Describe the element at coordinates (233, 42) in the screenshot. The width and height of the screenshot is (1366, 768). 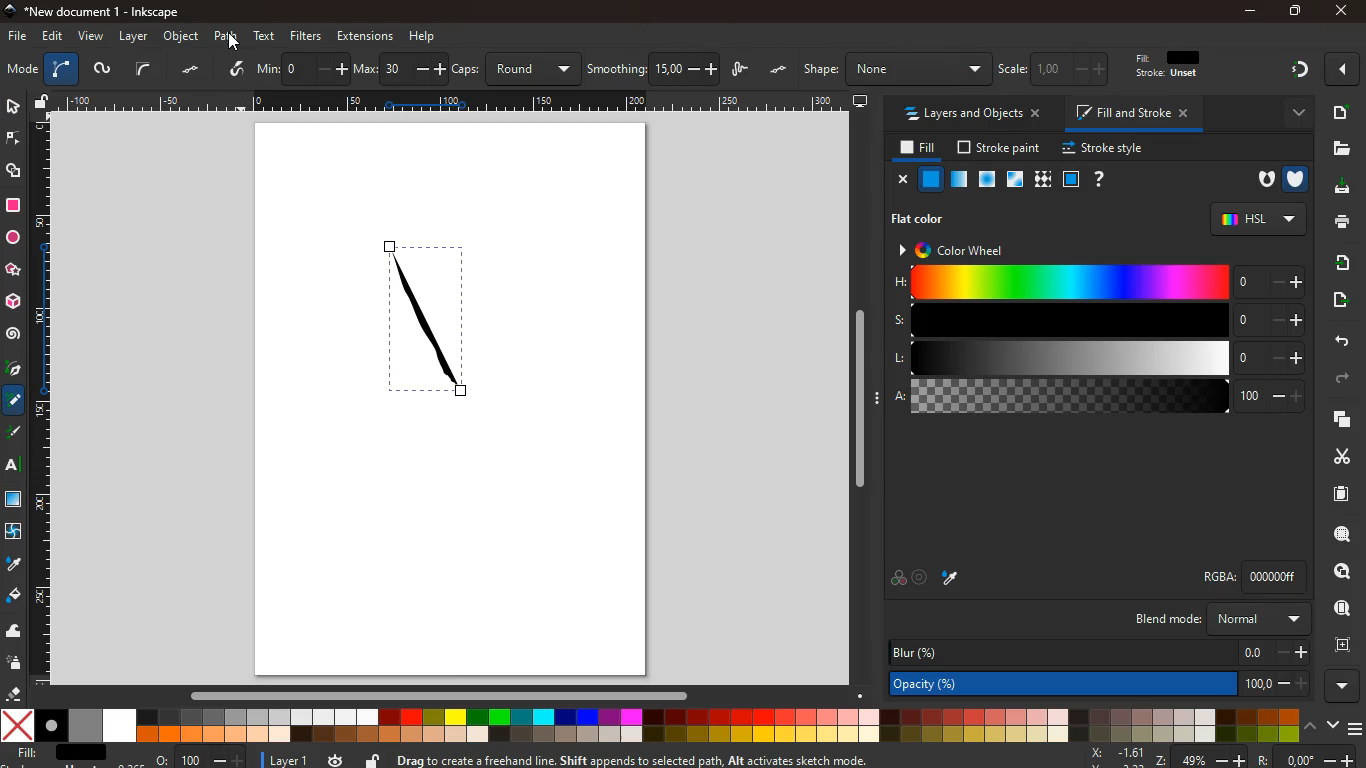
I see `Cursor` at that location.